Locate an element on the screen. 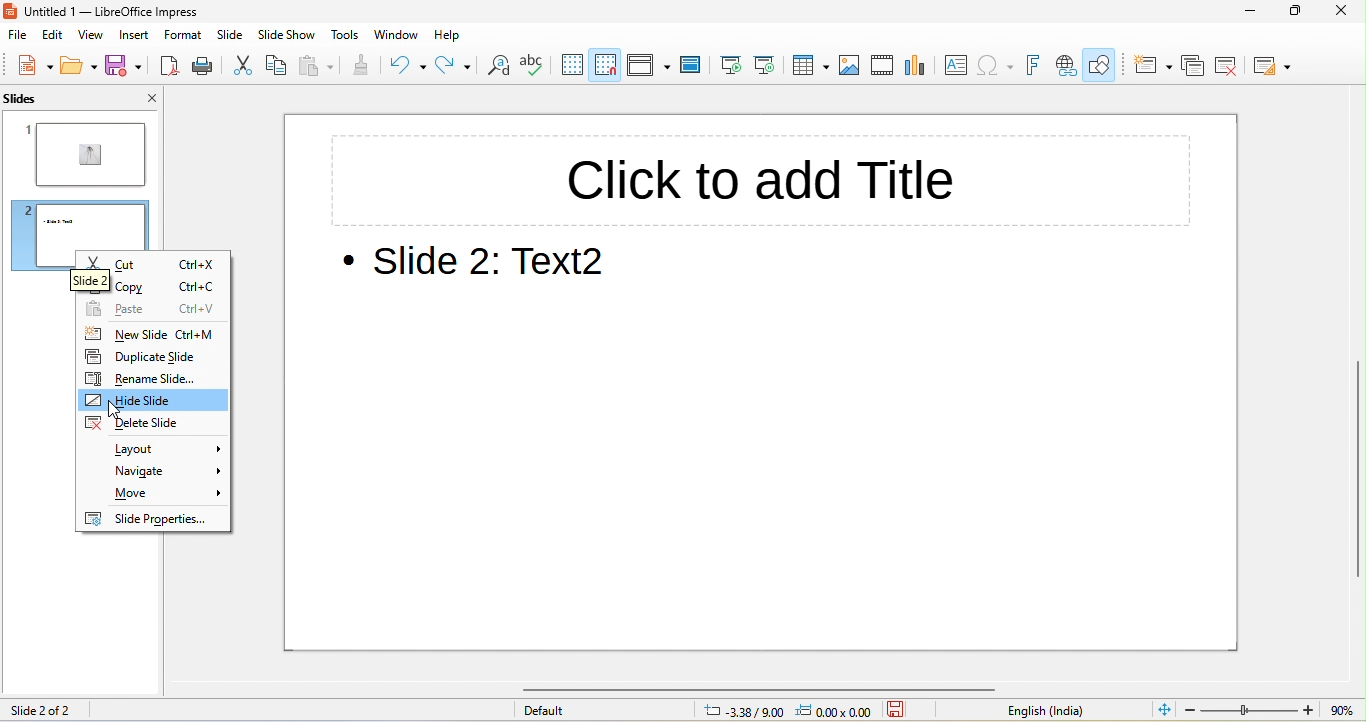  table is located at coordinates (812, 66).